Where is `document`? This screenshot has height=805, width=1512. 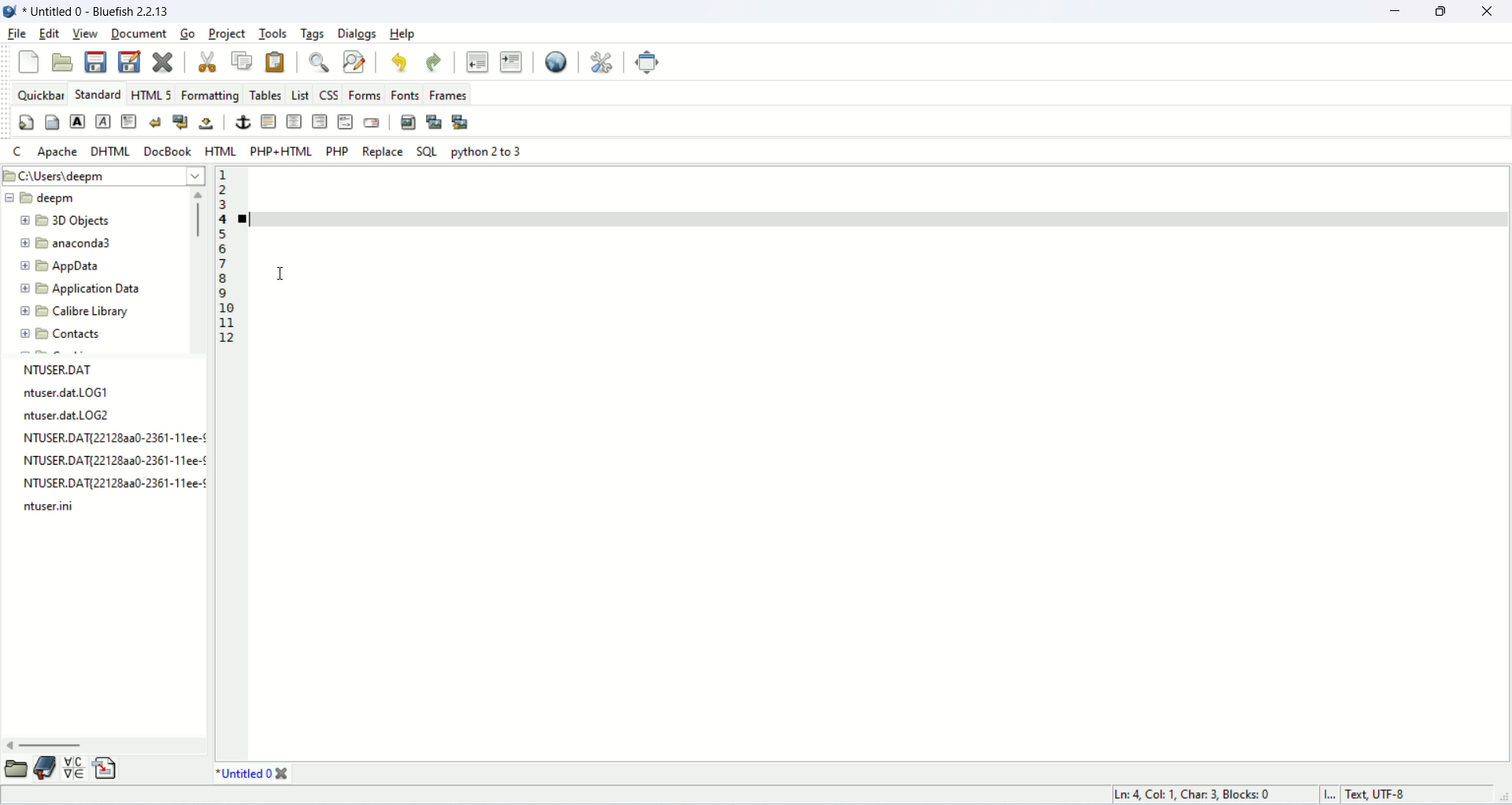 document is located at coordinates (139, 32).